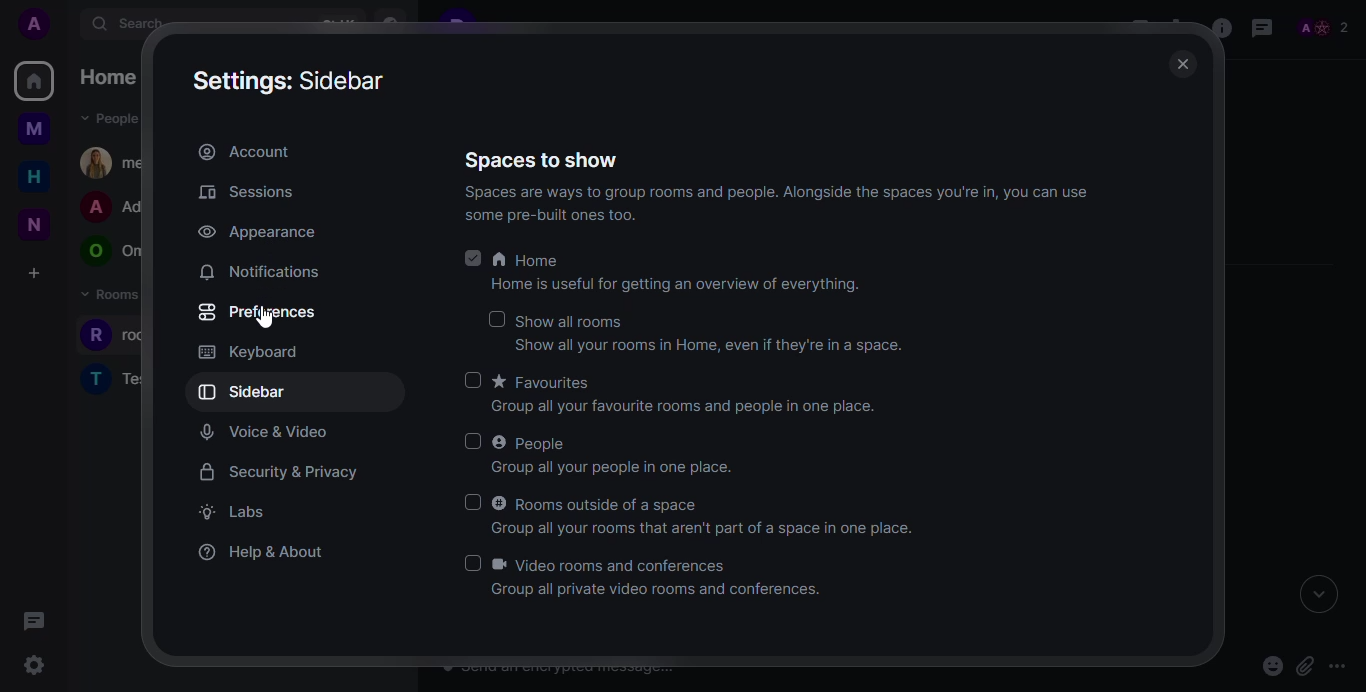 This screenshot has width=1366, height=692. Describe the element at coordinates (616, 467) in the screenshot. I see `Group all your people in one place.` at that location.